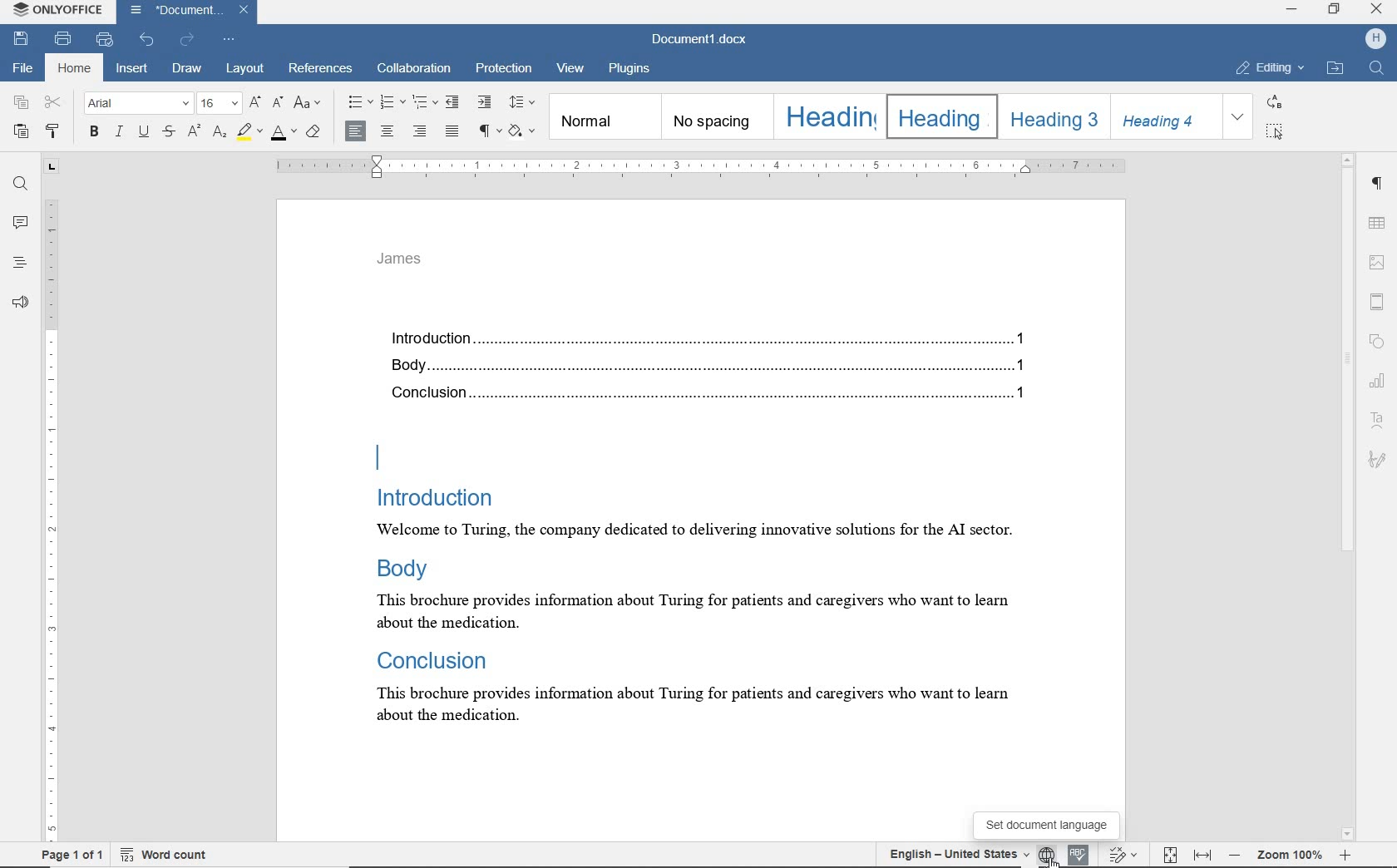 This screenshot has height=868, width=1397. I want to click on track changes, so click(1124, 855).